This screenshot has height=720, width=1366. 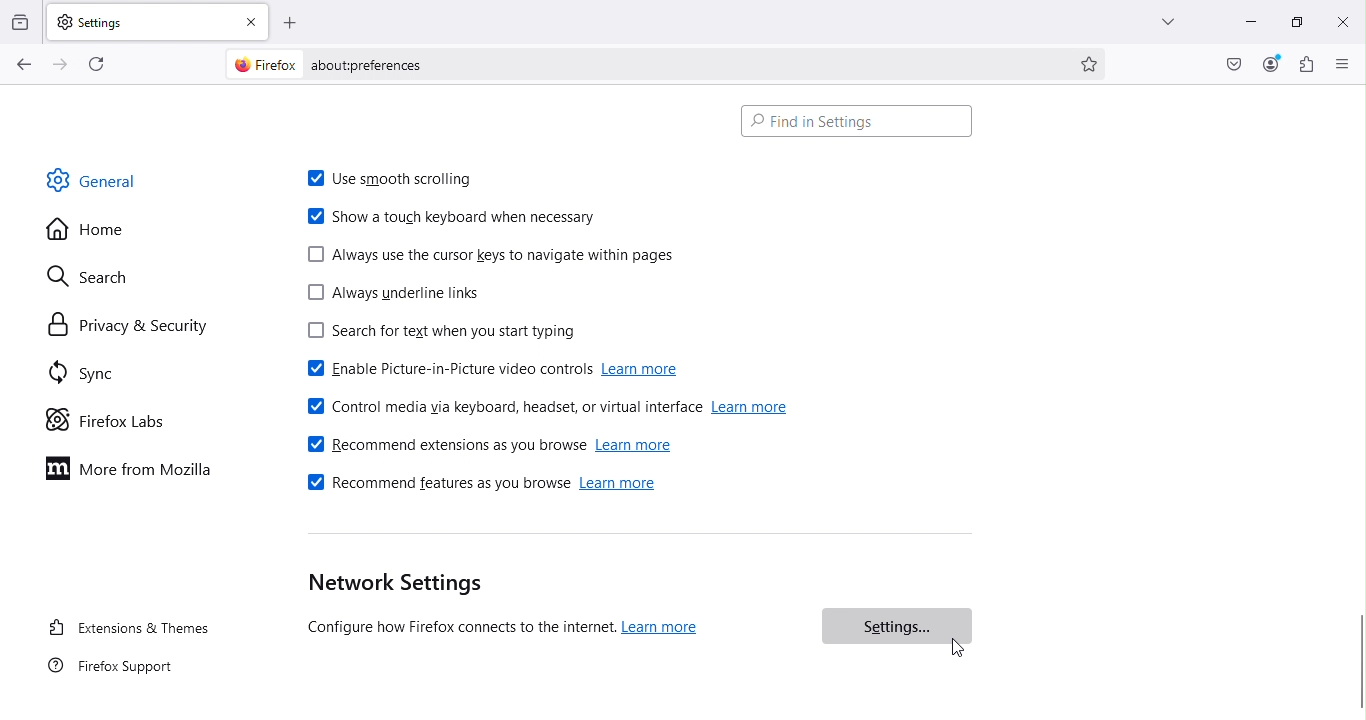 What do you see at coordinates (860, 121) in the screenshot?
I see `Search bar` at bounding box center [860, 121].